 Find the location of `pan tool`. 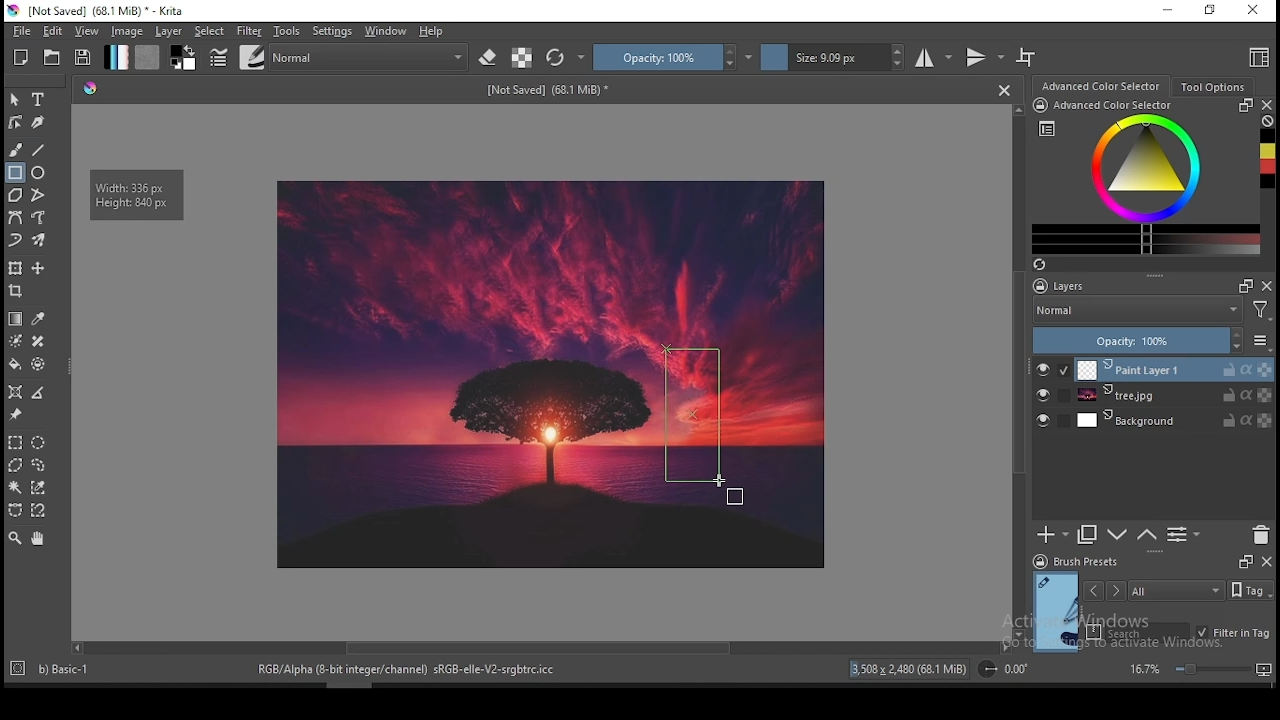

pan tool is located at coordinates (37, 540).